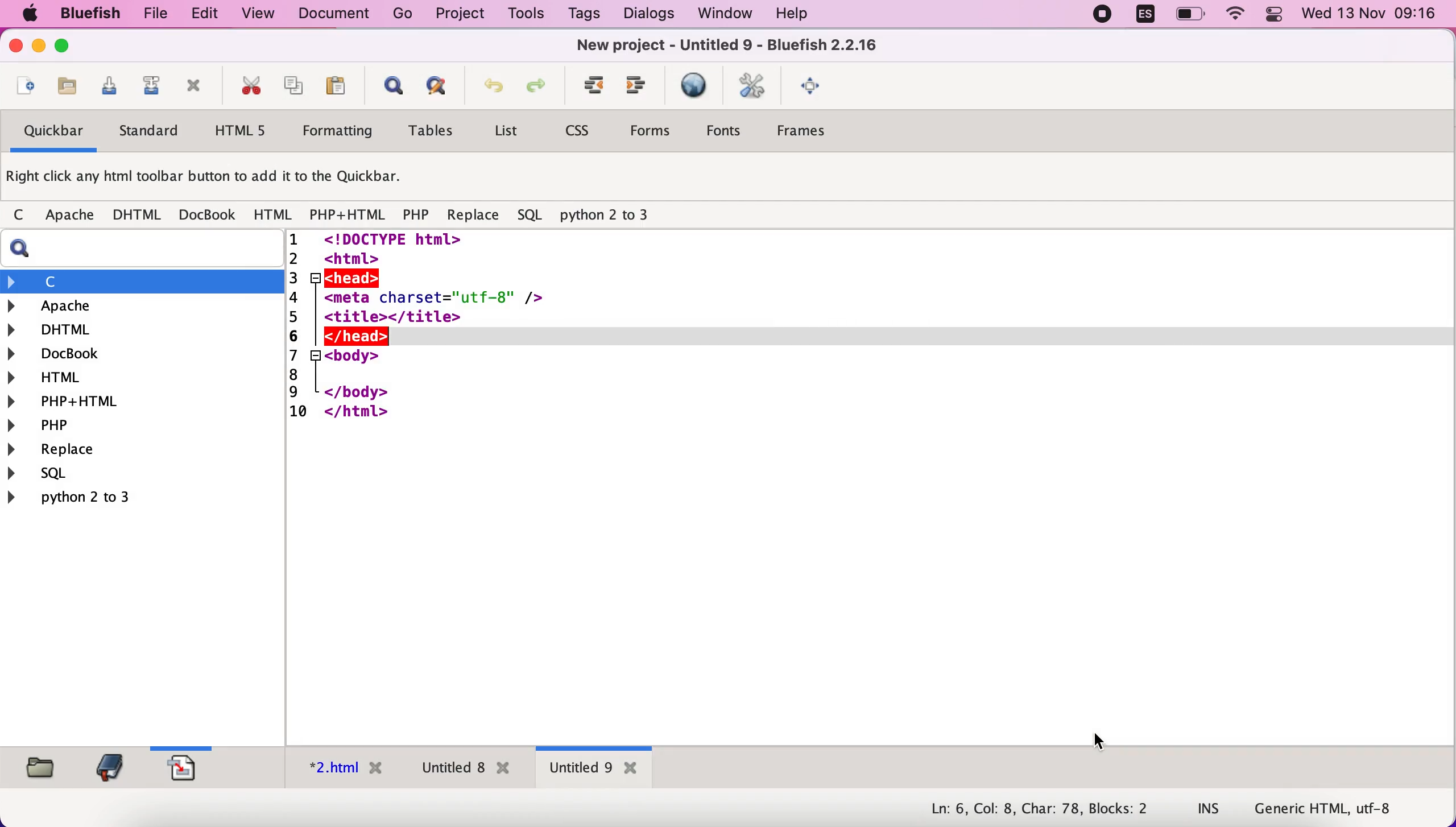 The image size is (1456, 827). I want to click on file, so click(150, 14).